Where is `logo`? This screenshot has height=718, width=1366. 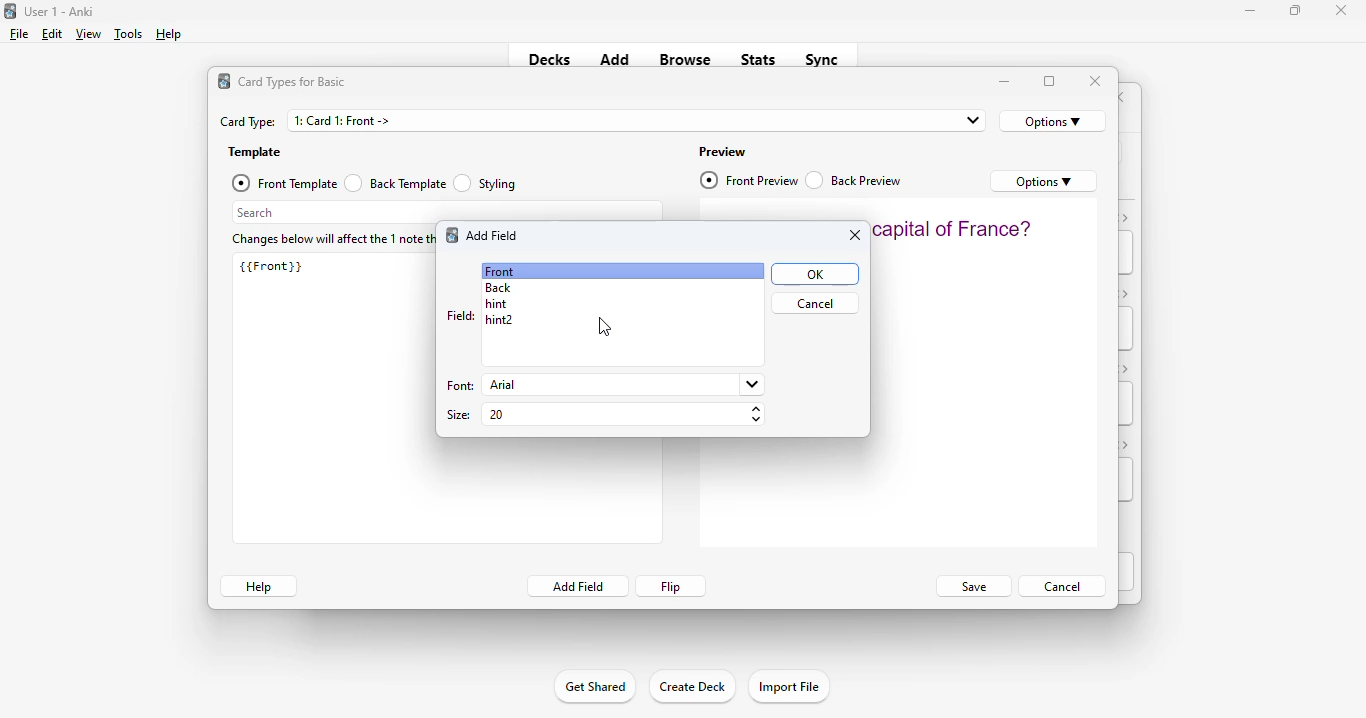
logo is located at coordinates (451, 234).